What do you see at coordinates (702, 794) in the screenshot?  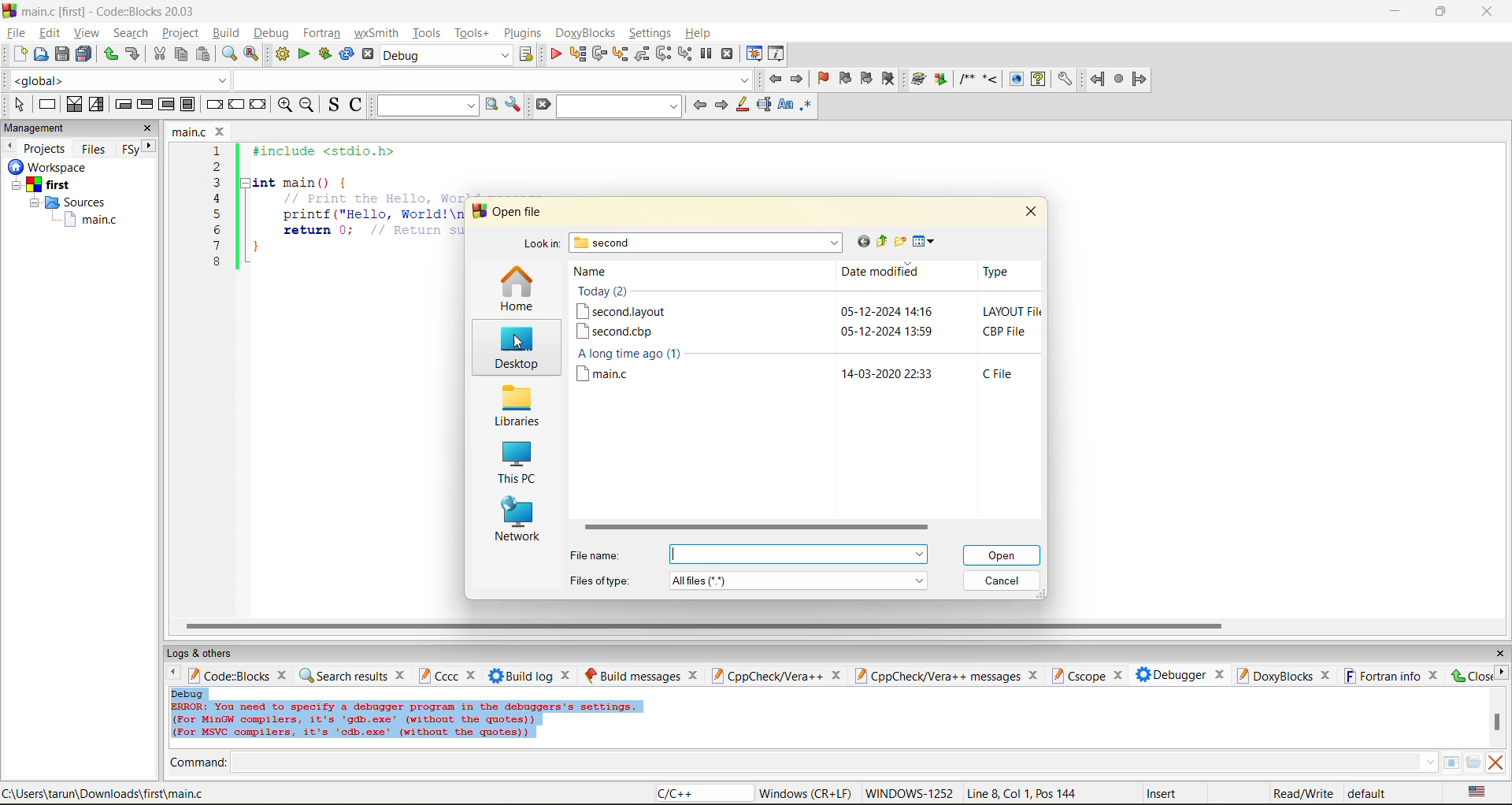 I see `language` at bounding box center [702, 794].